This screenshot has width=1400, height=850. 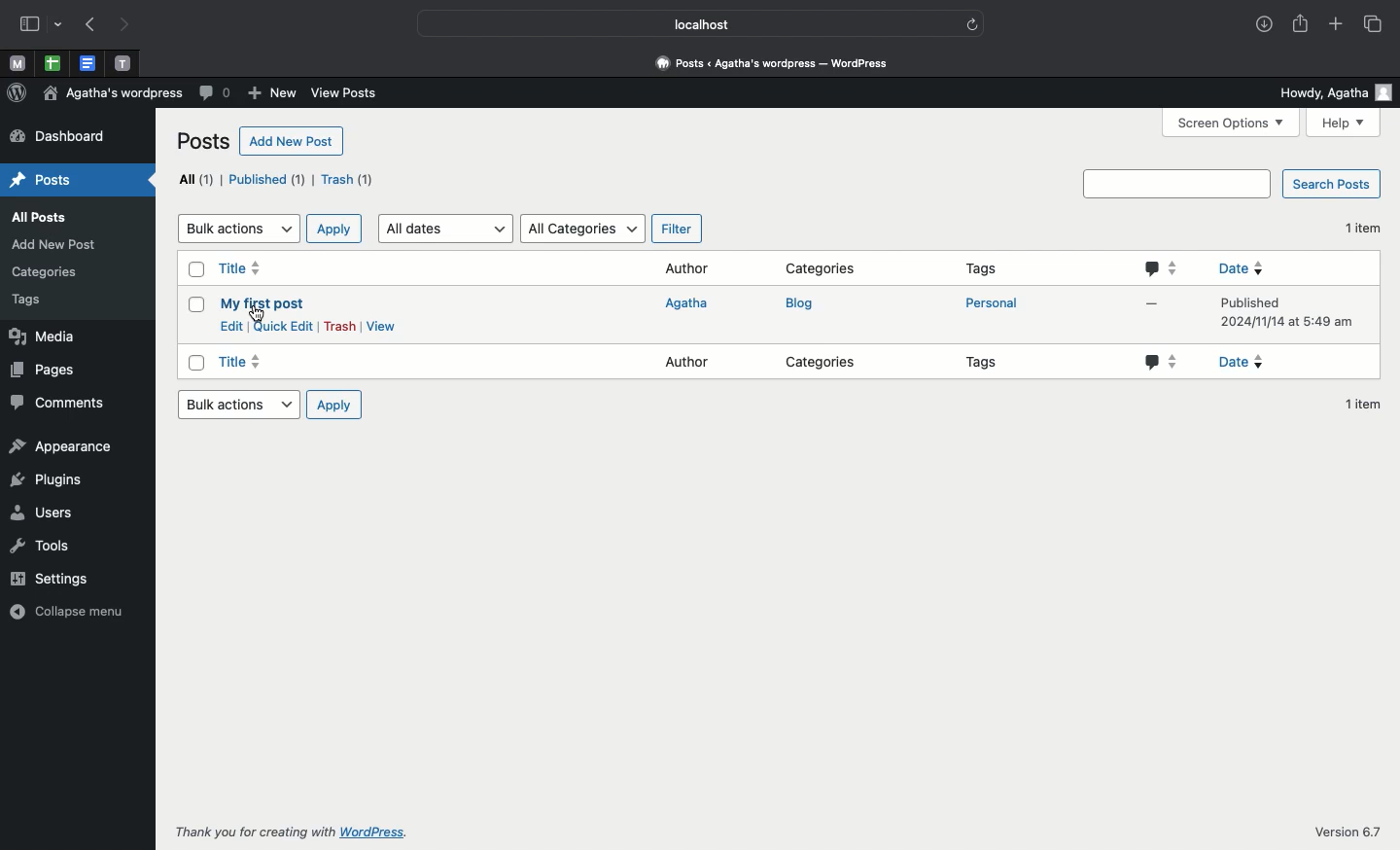 I want to click on Search posts, so click(x=1333, y=185).